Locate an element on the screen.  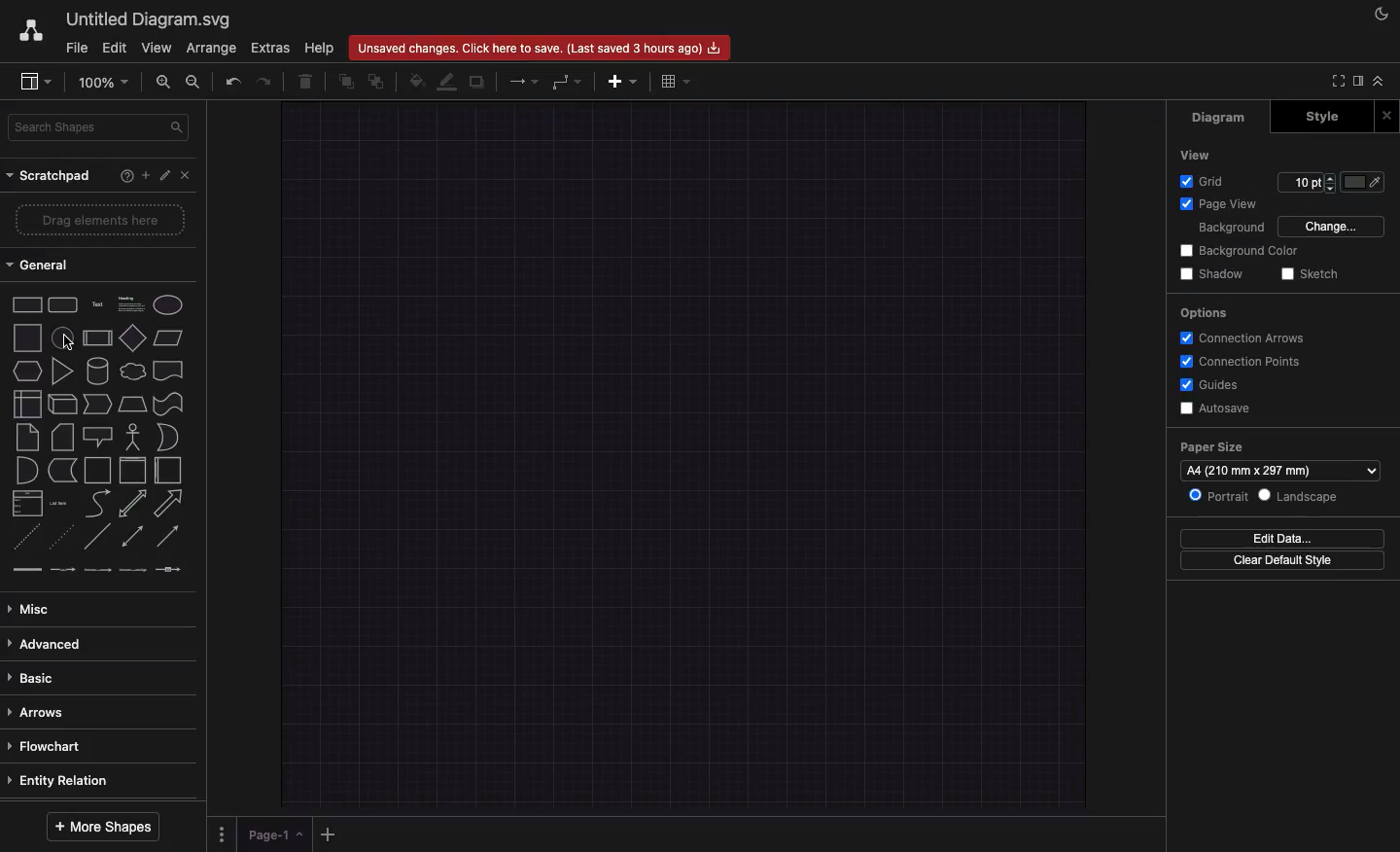
Paper size is located at coordinates (1279, 446).